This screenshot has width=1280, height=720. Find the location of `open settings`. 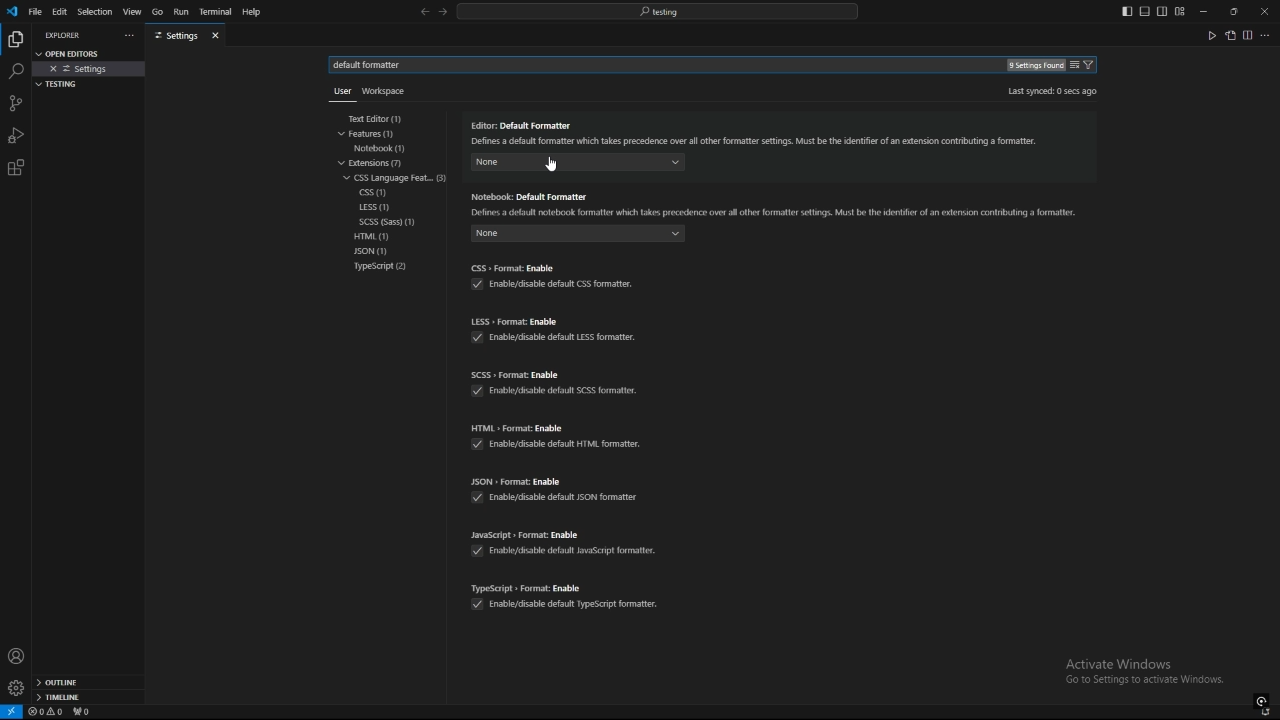

open settings is located at coordinates (1230, 35).